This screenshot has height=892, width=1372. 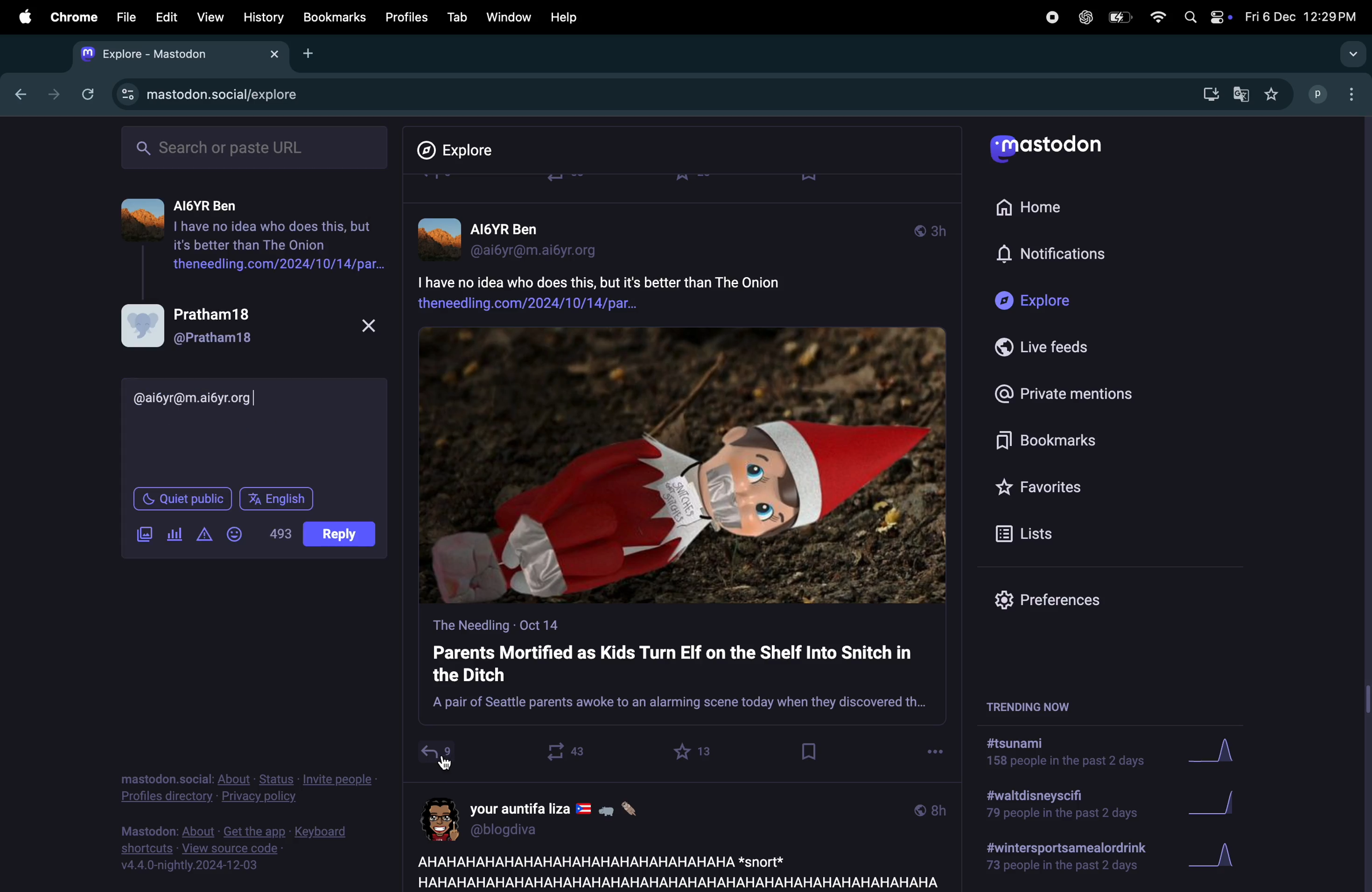 I want to click on file, so click(x=126, y=17).